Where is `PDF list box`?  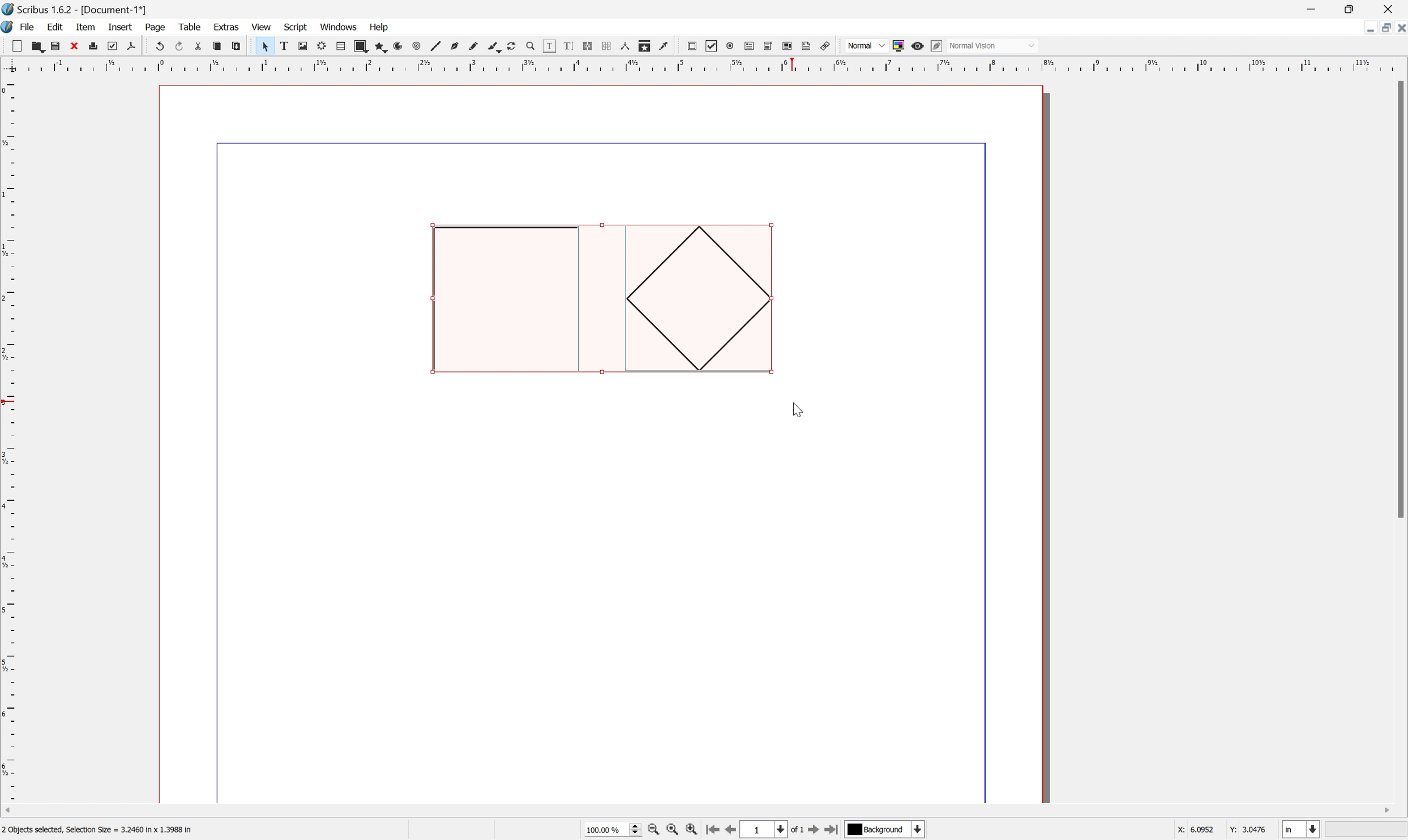 PDF list box is located at coordinates (785, 45).